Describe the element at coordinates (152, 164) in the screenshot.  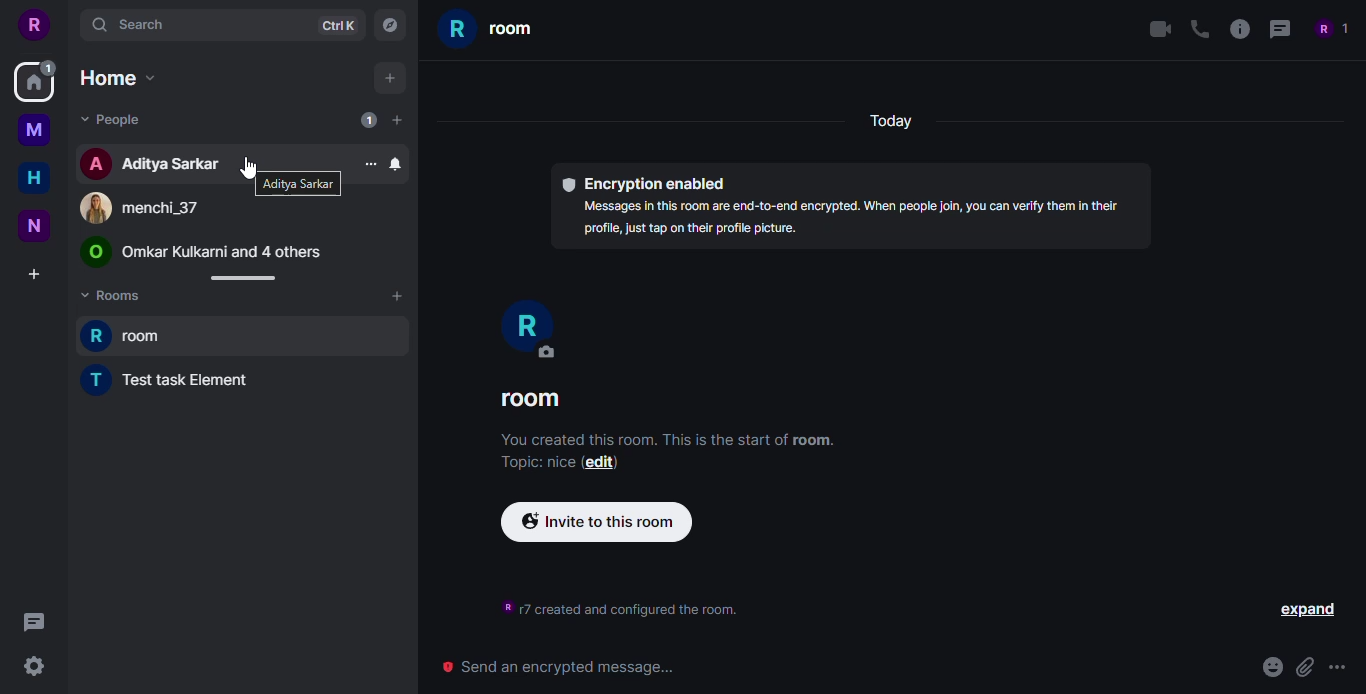
I see `aditya sarkar` at that location.